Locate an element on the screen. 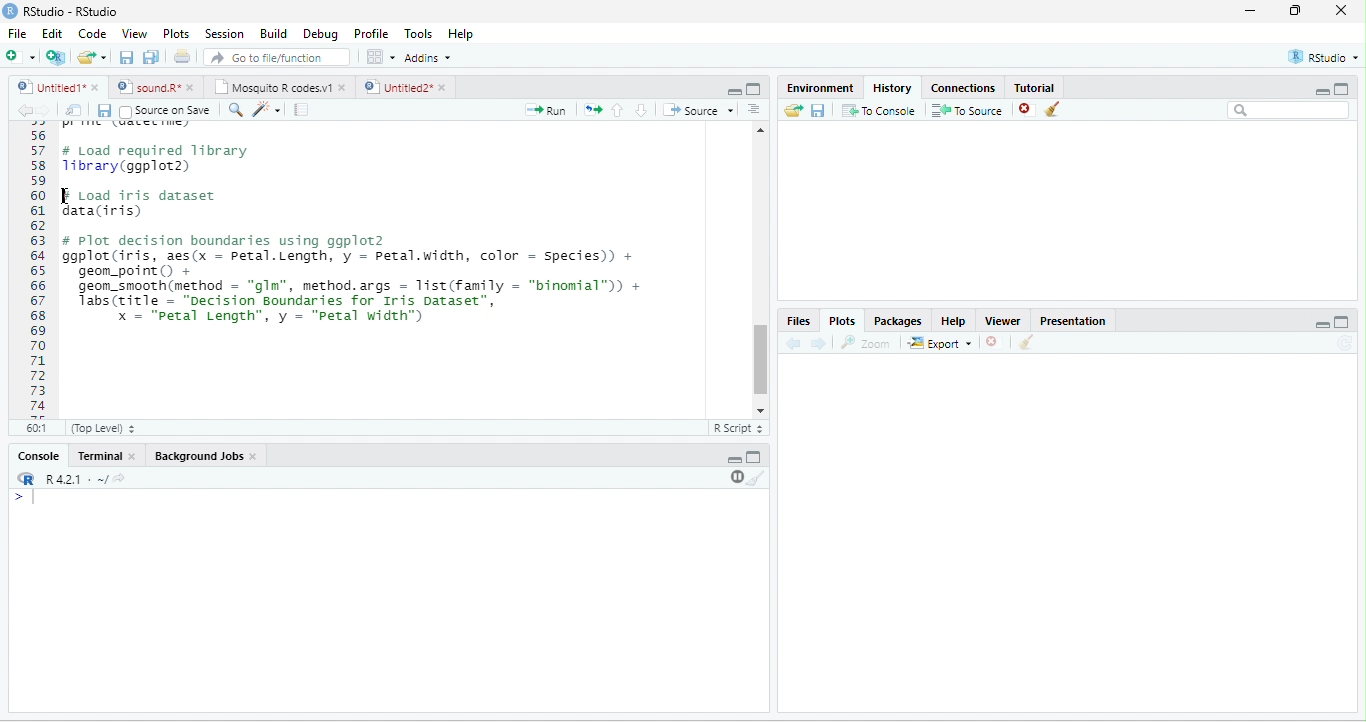  Untitled2 is located at coordinates (396, 87).